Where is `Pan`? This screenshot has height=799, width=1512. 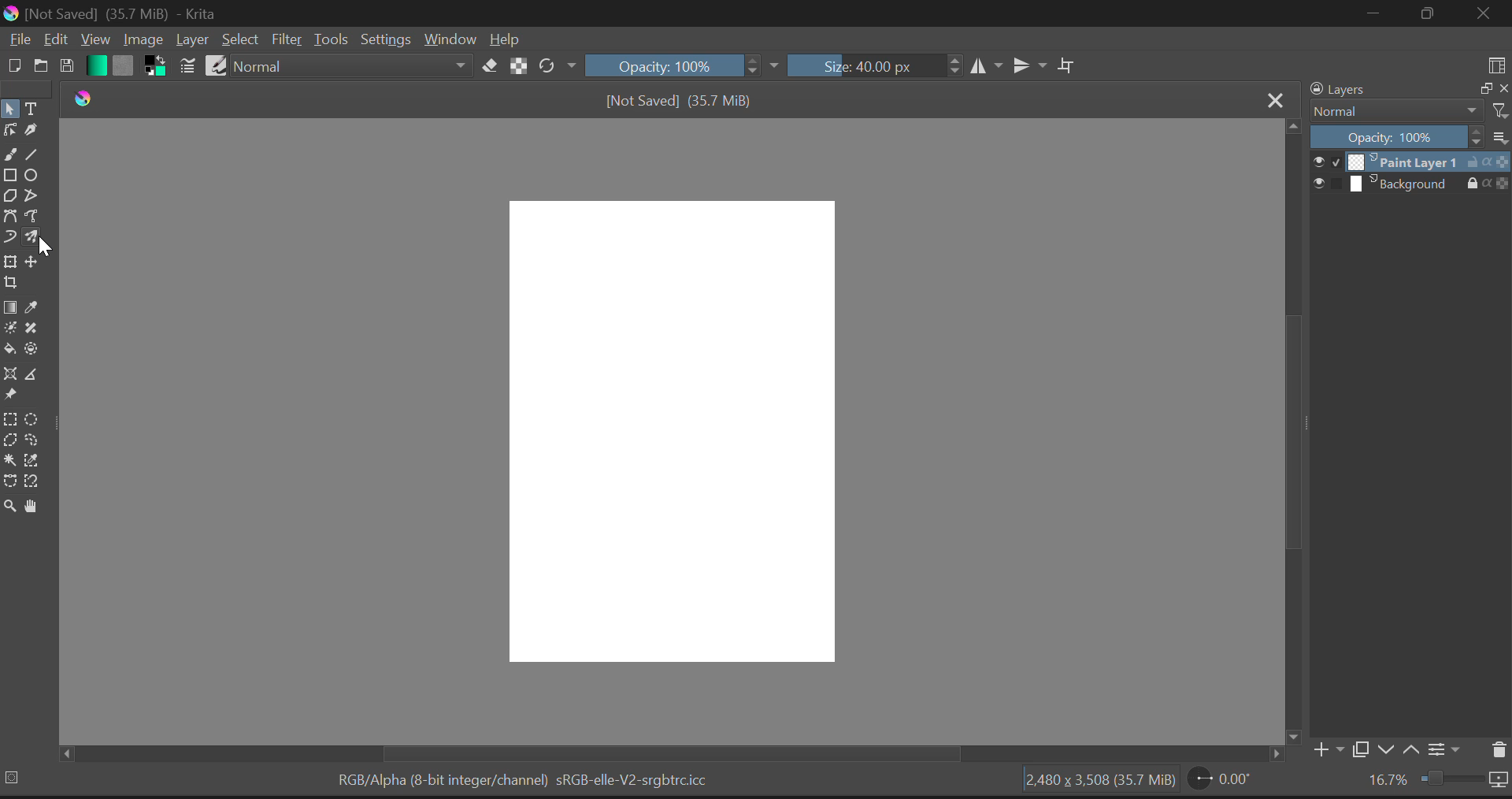 Pan is located at coordinates (35, 507).